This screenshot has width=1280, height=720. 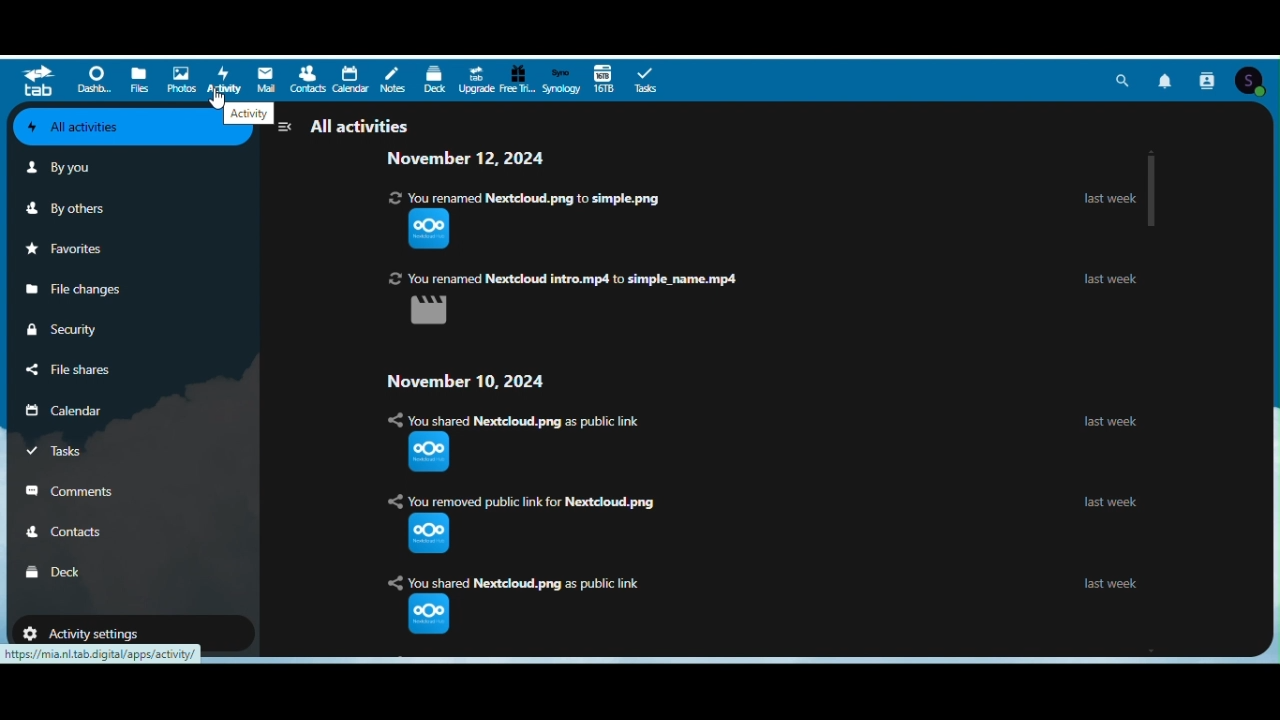 What do you see at coordinates (1152, 190) in the screenshot?
I see `Vertical scroll bar` at bounding box center [1152, 190].